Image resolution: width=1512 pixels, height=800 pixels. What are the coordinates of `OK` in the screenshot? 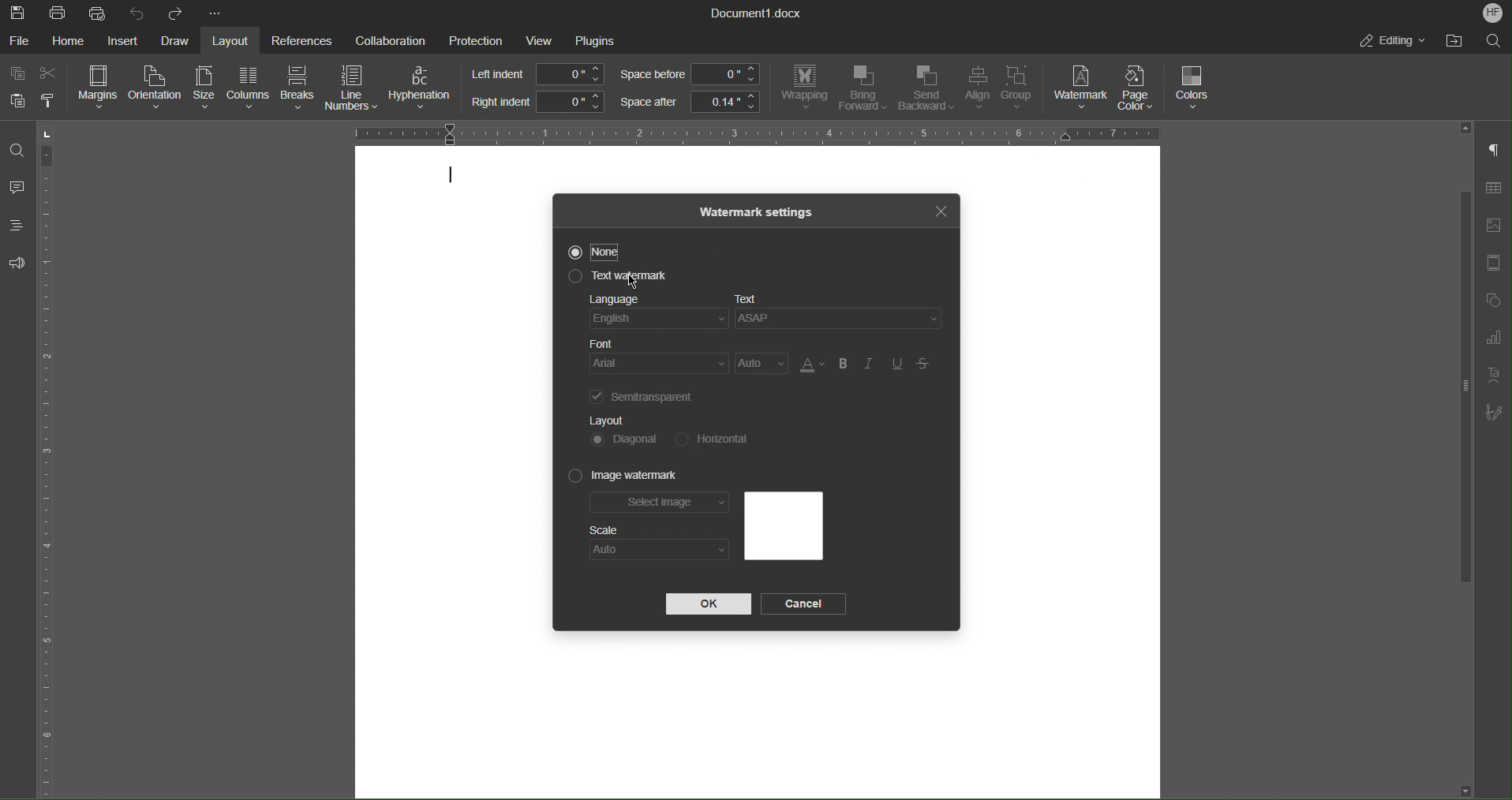 It's located at (708, 604).